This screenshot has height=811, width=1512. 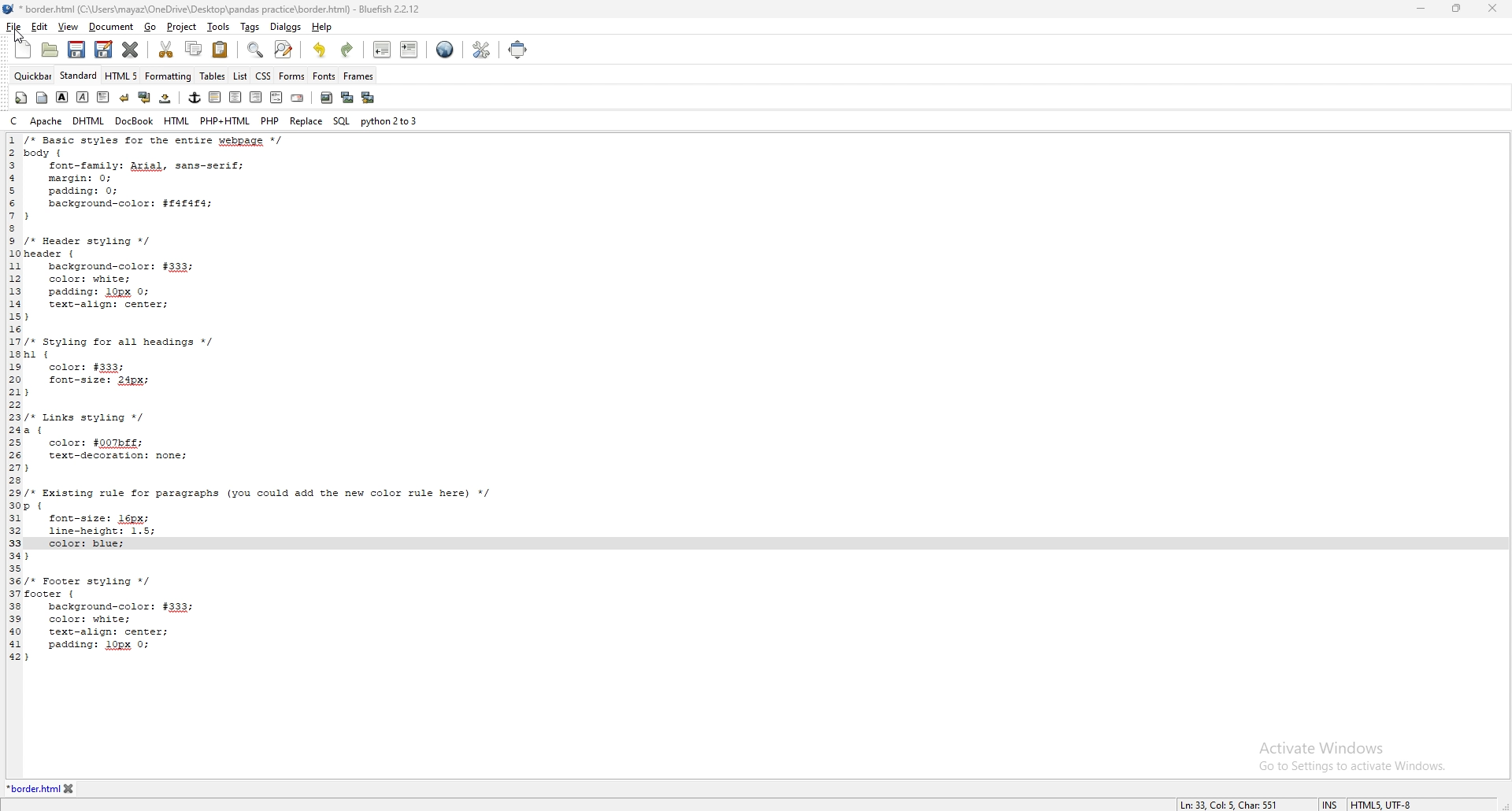 What do you see at coordinates (480, 50) in the screenshot?
I see `edit preferences` at bounding box center [480, 50].